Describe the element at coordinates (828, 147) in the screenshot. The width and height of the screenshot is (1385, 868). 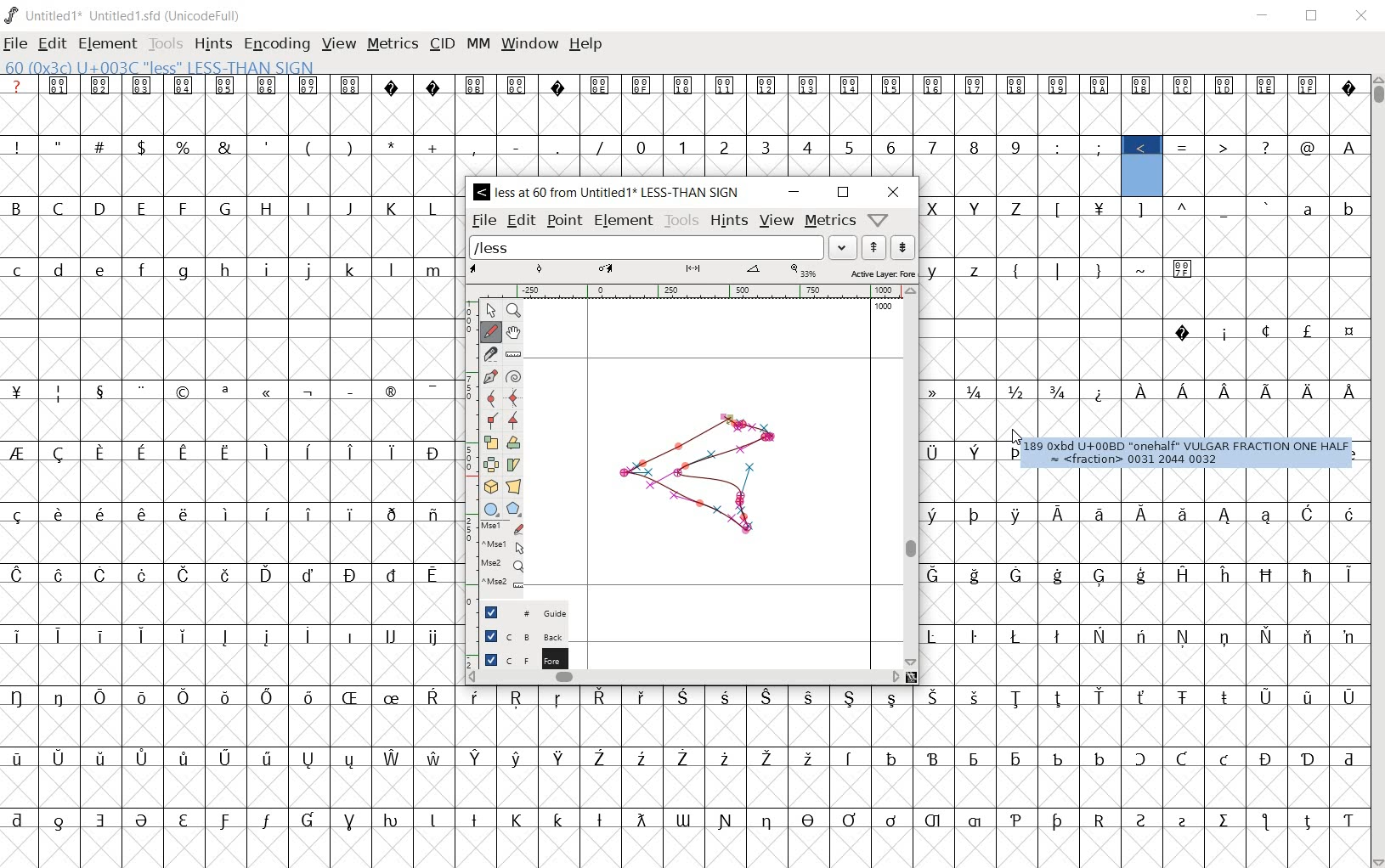
I see `number 0 - 9` at that location.